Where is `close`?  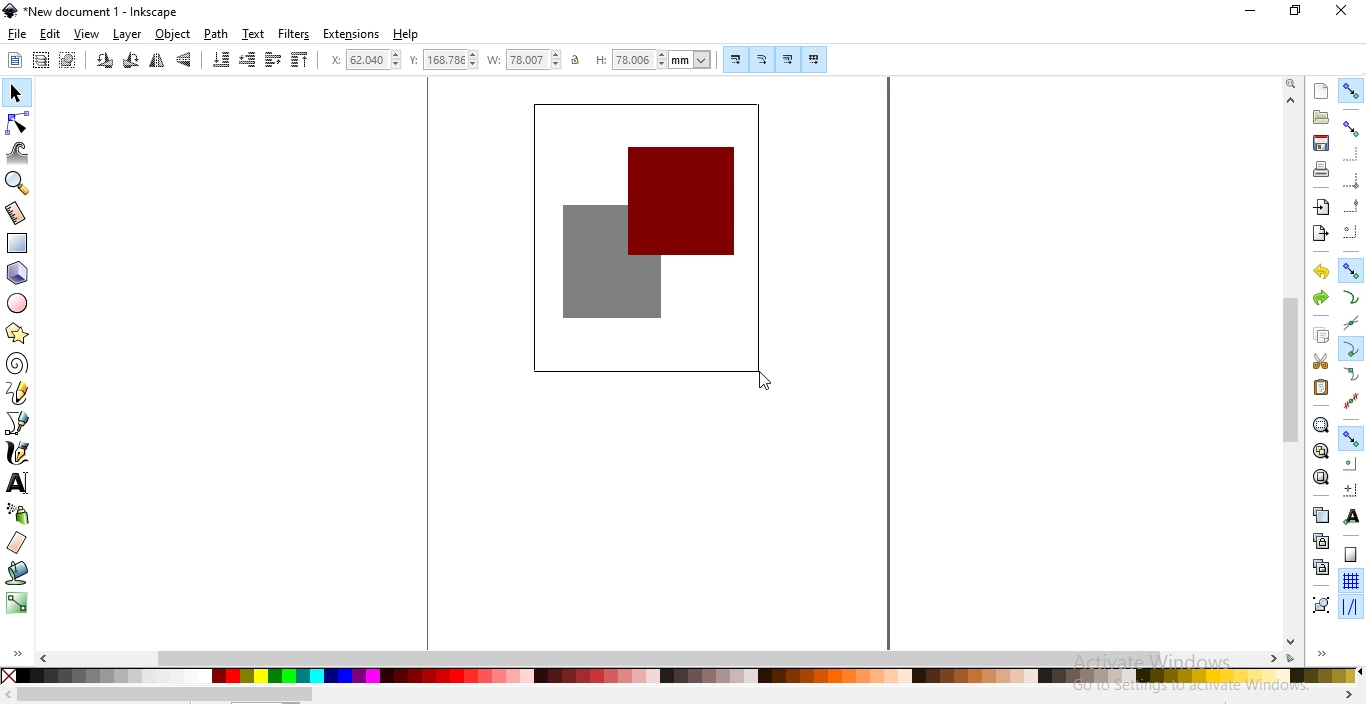
close is located at coordinates (1342, 10).